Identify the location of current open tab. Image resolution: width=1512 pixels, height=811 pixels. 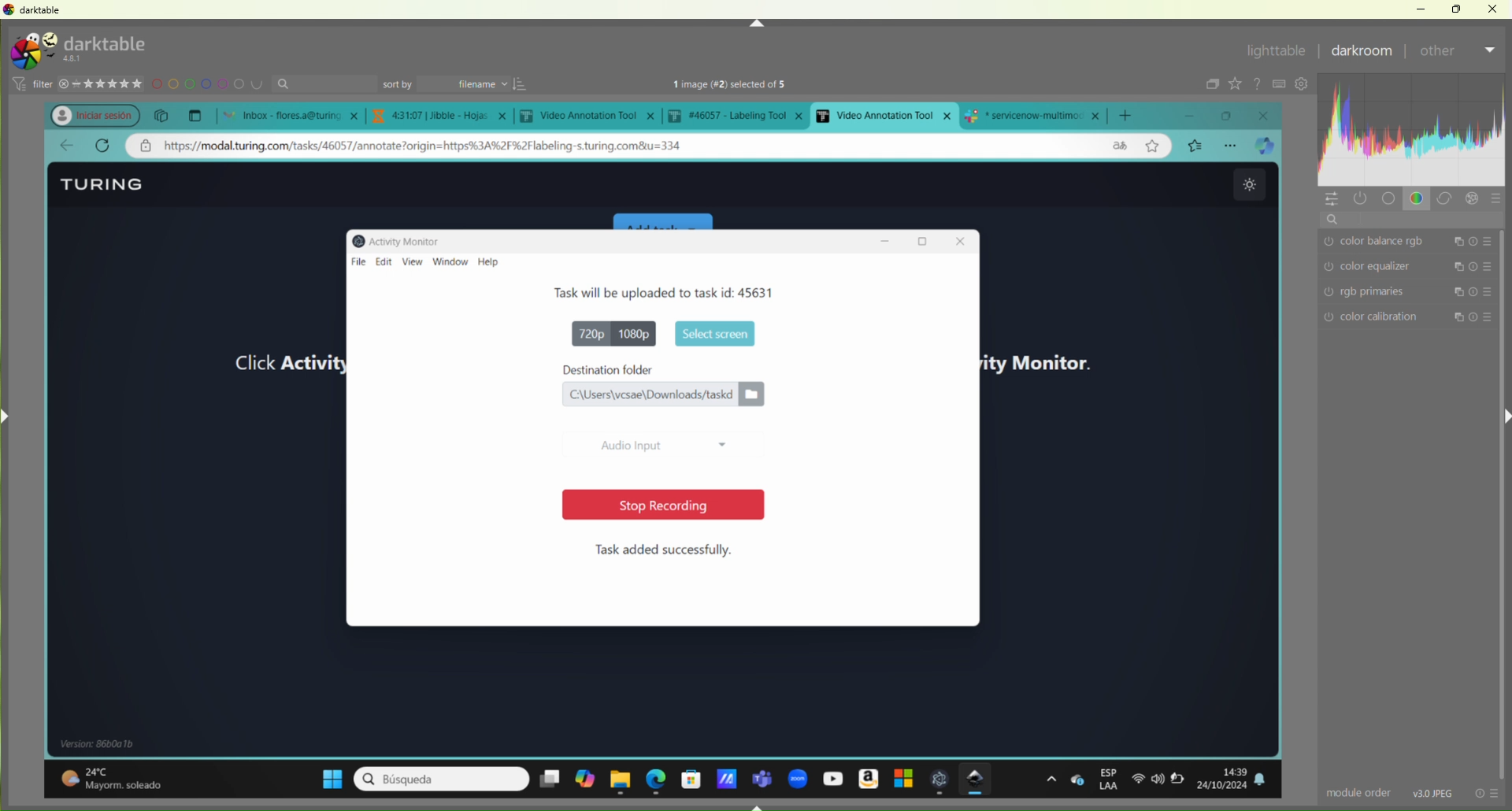
(884, 115).